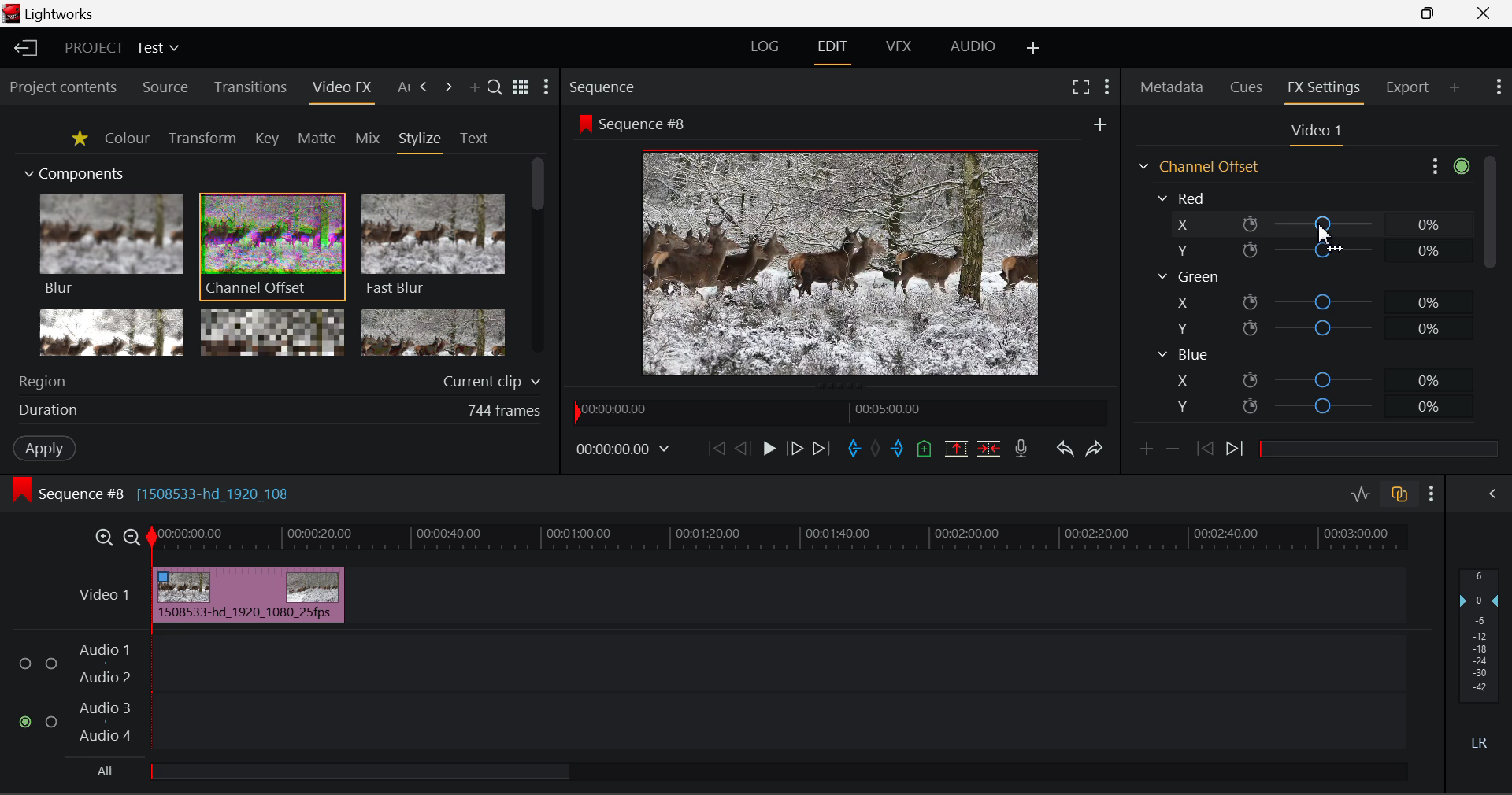 This screenshot has width=1512, height=795. I want to click on To Start, so click(717, 447).